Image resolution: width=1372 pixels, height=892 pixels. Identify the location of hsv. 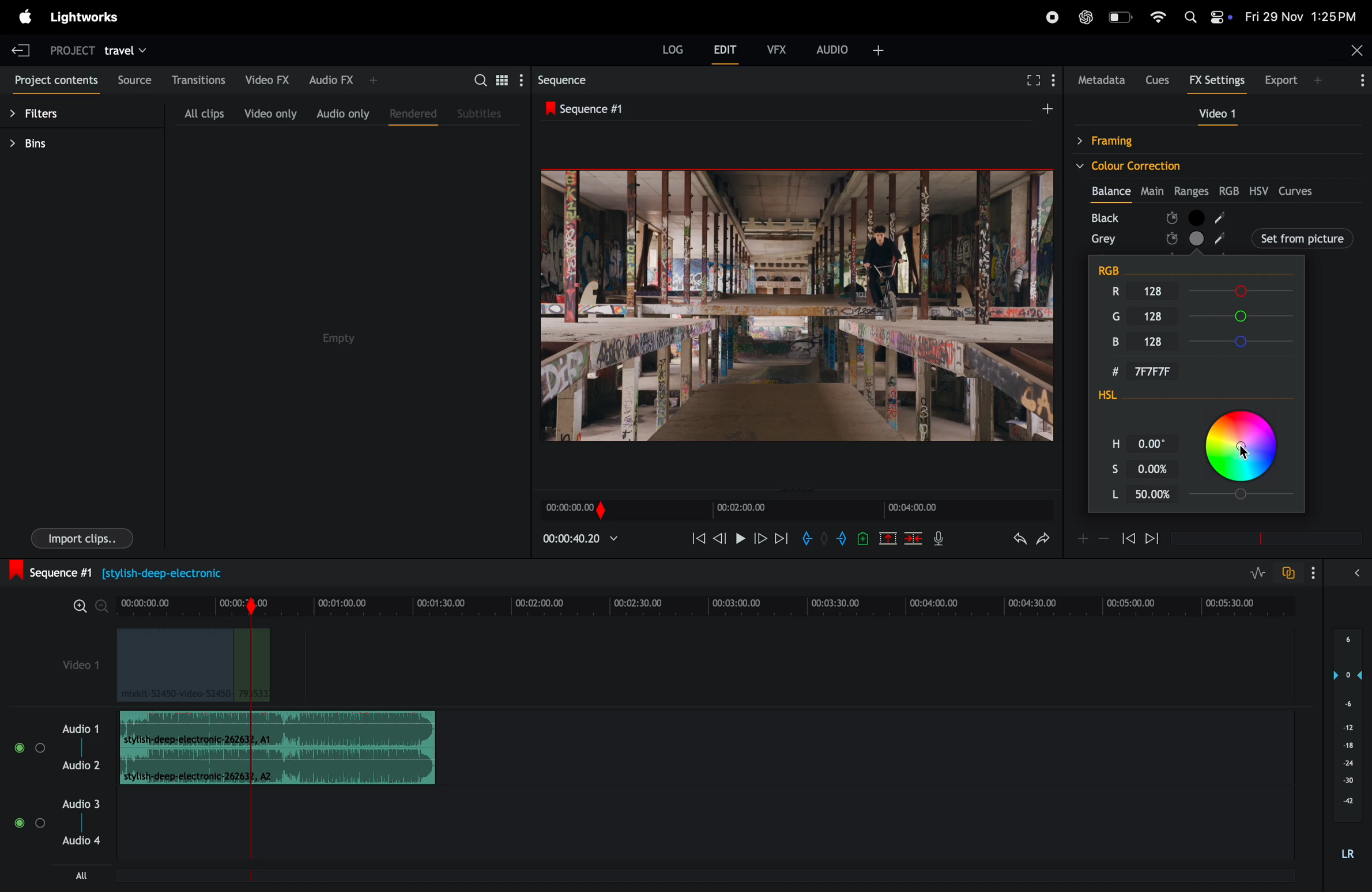
(1261, 191).